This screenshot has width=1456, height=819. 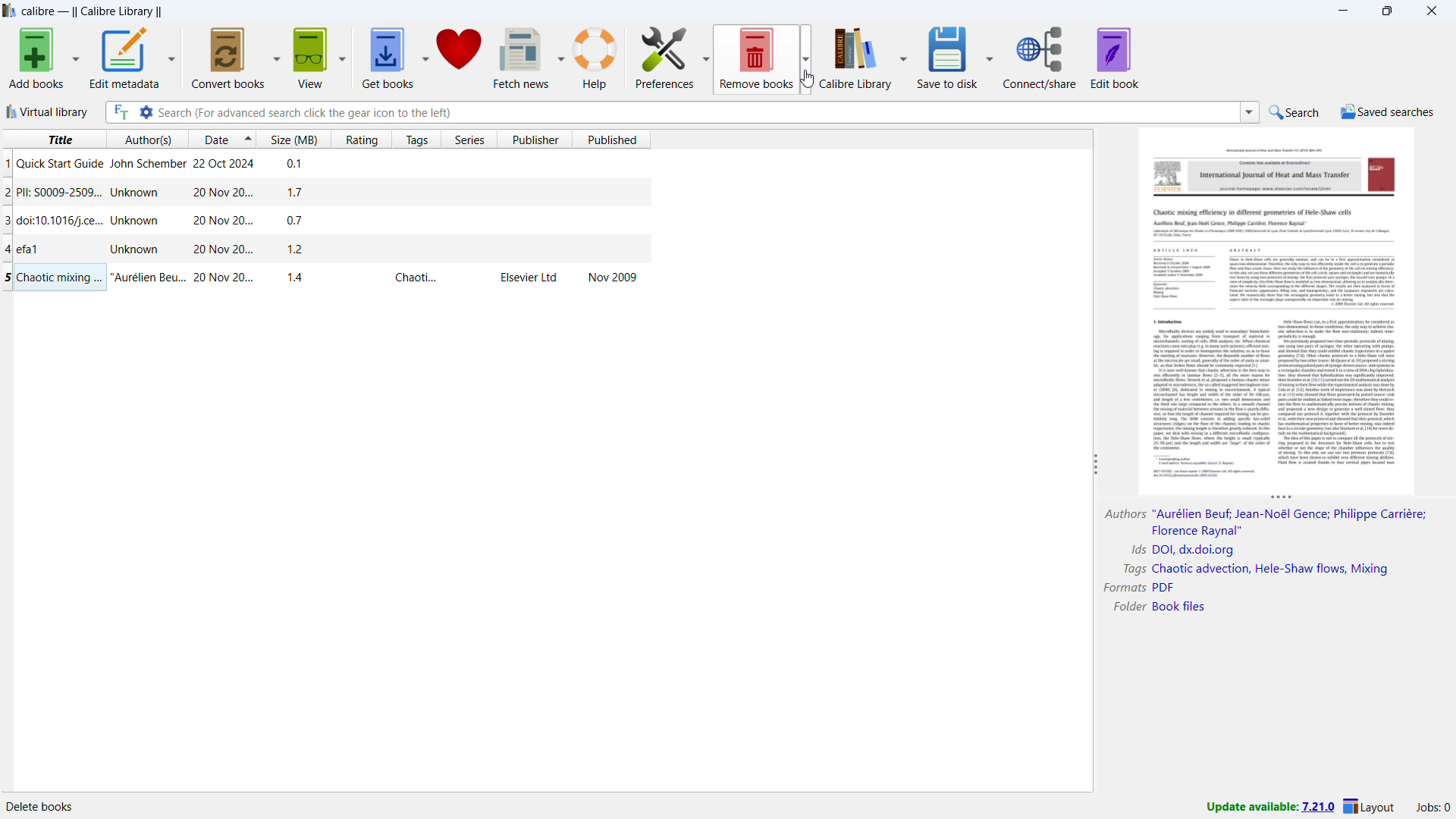 I want to click on fetch news, so click(x=521, y=58).